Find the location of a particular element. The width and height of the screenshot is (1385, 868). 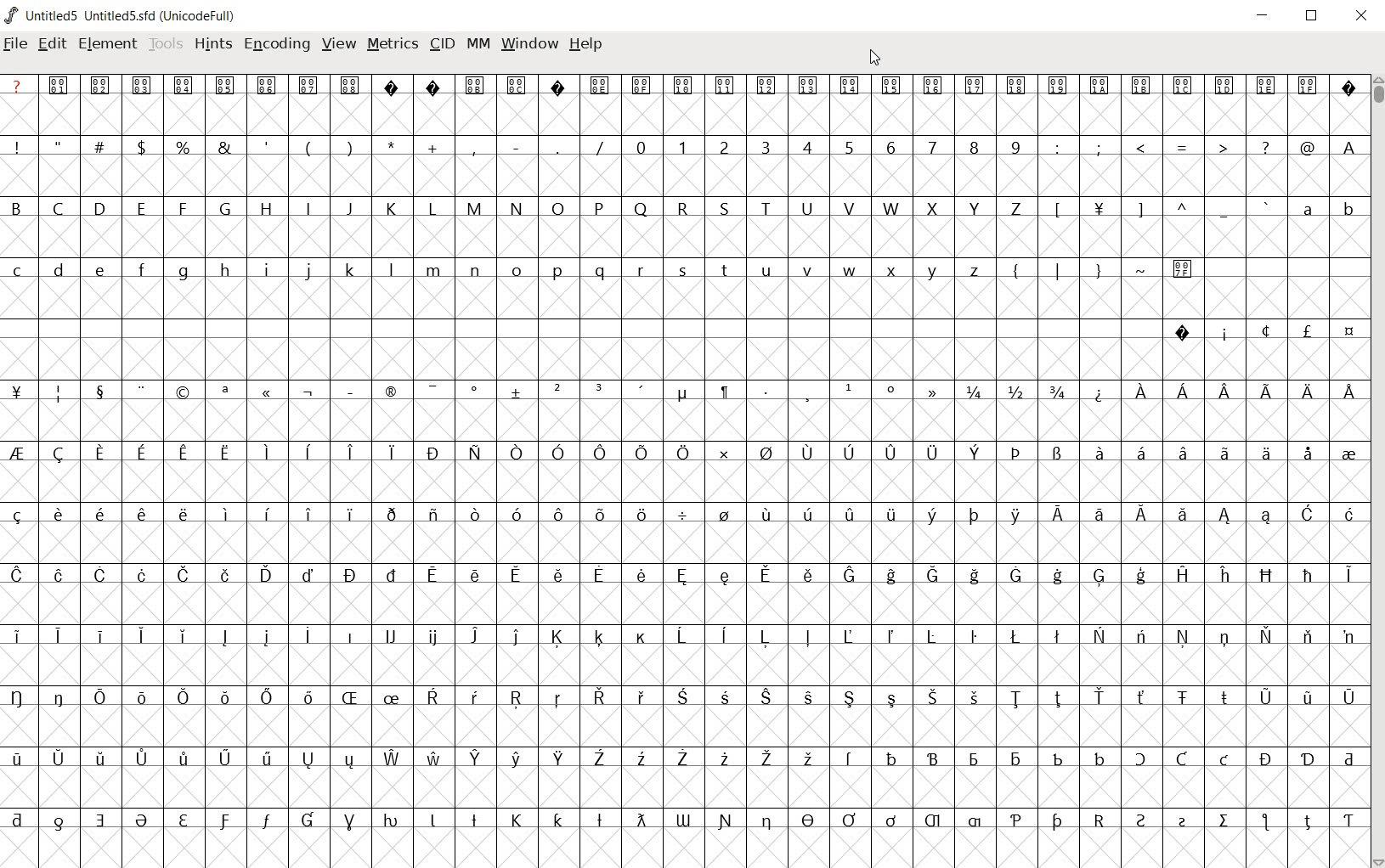

Symbol is located at coordinates (100, 760).